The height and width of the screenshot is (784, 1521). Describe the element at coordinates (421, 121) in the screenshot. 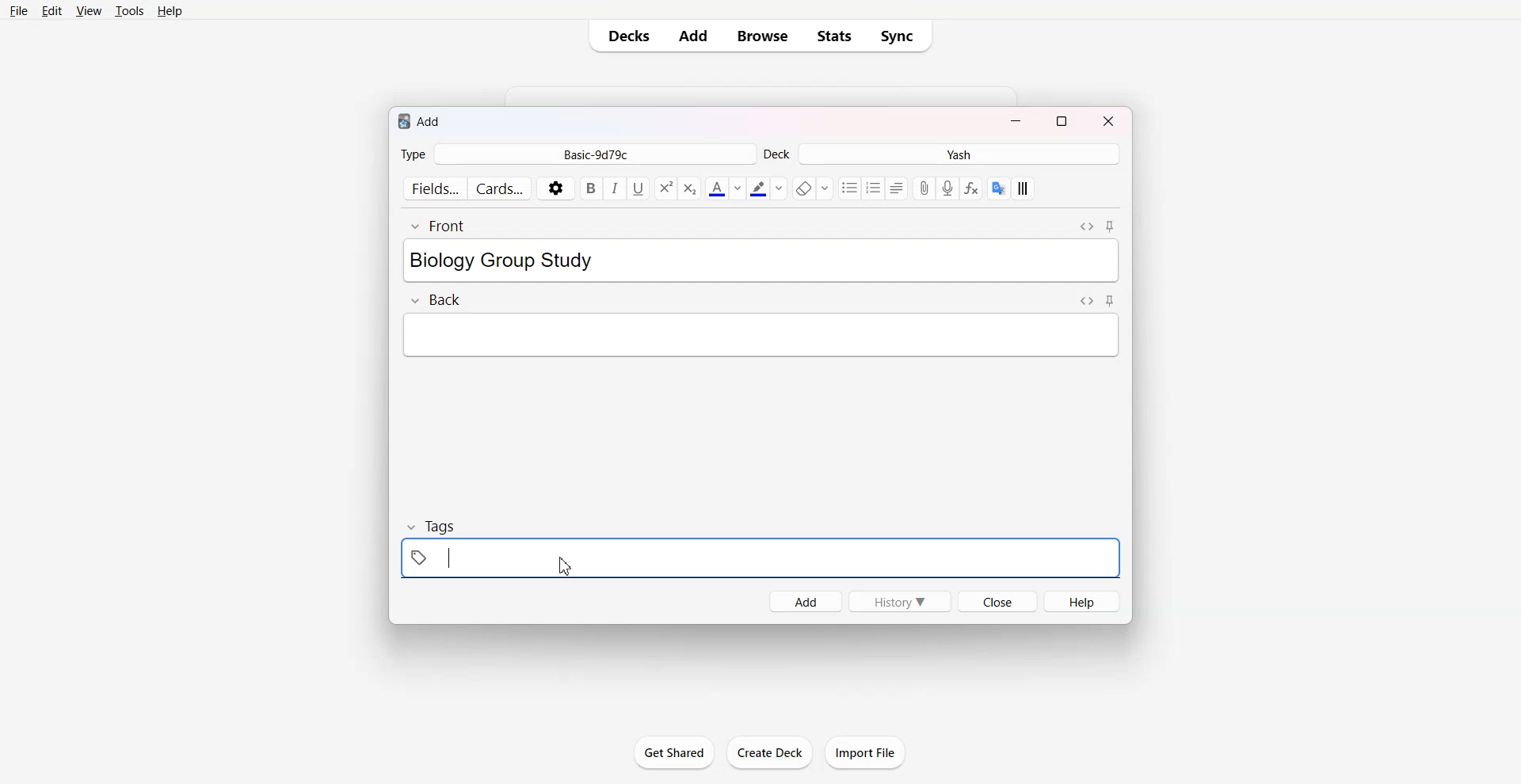

I see `add` at that location.